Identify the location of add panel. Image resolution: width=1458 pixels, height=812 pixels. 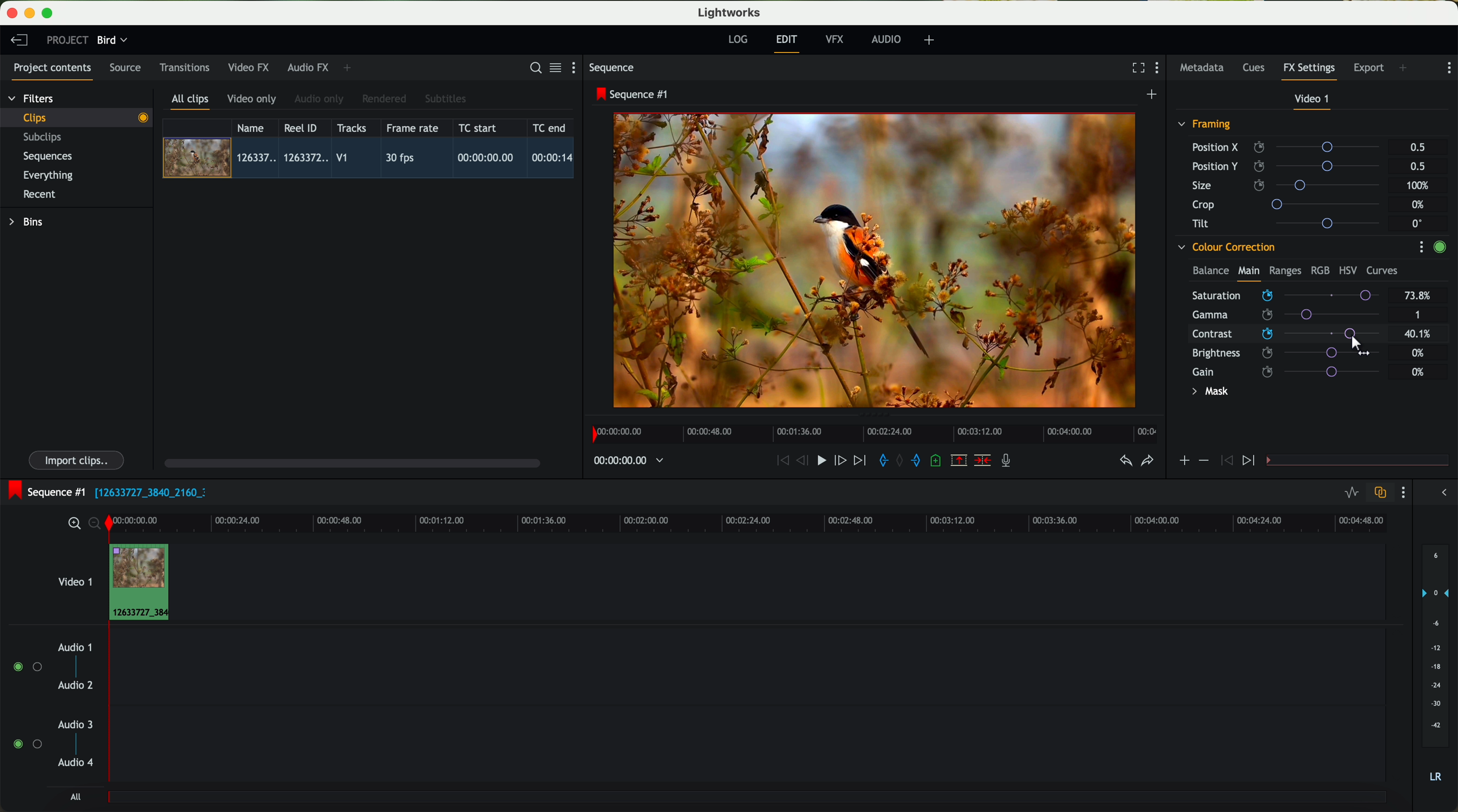
(350, 68).